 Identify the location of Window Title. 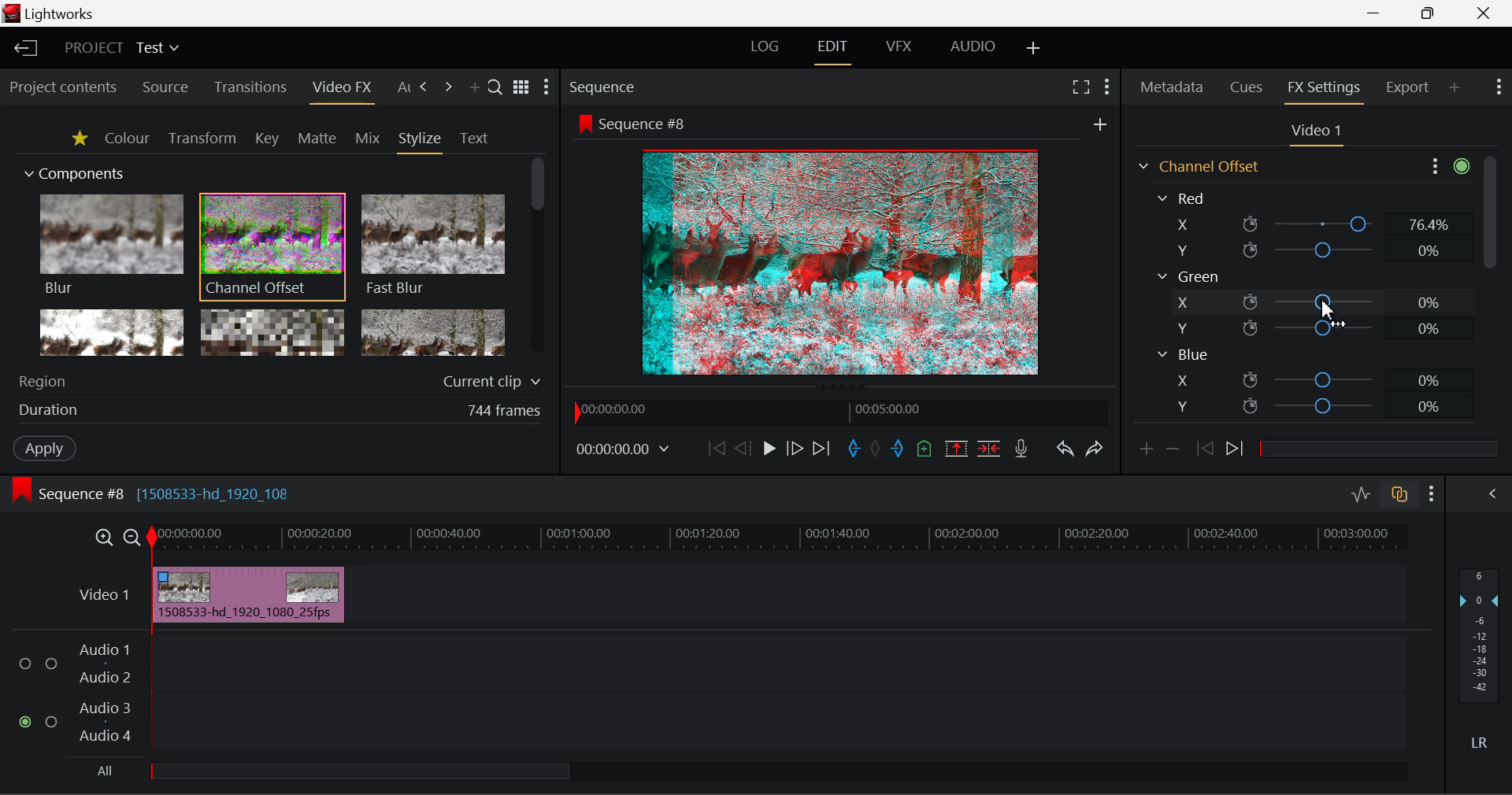
(60, 14).